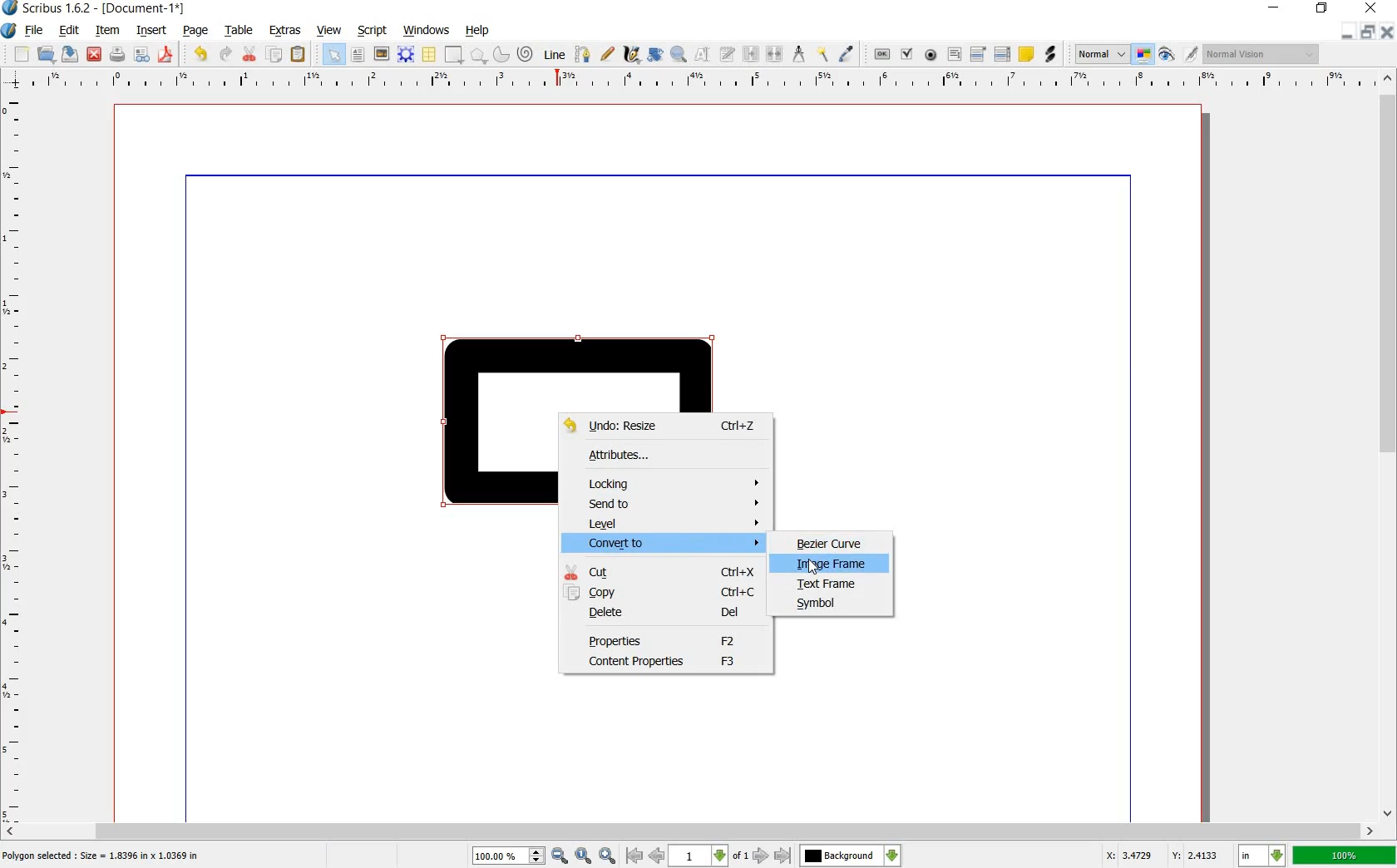  I want to click on arc, so click(499, 55).